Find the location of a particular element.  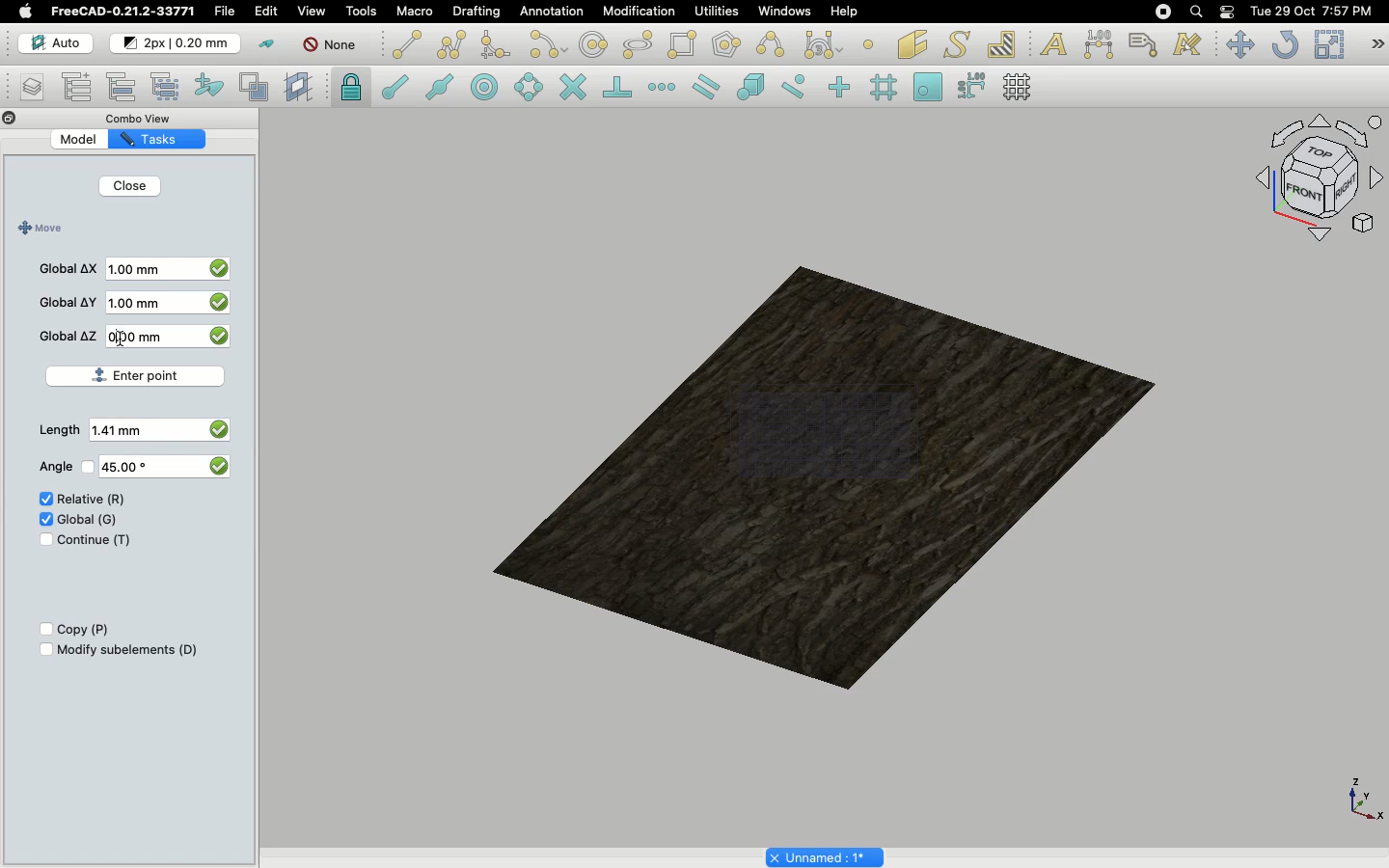

Drafting is located at coordinates (478, 11).